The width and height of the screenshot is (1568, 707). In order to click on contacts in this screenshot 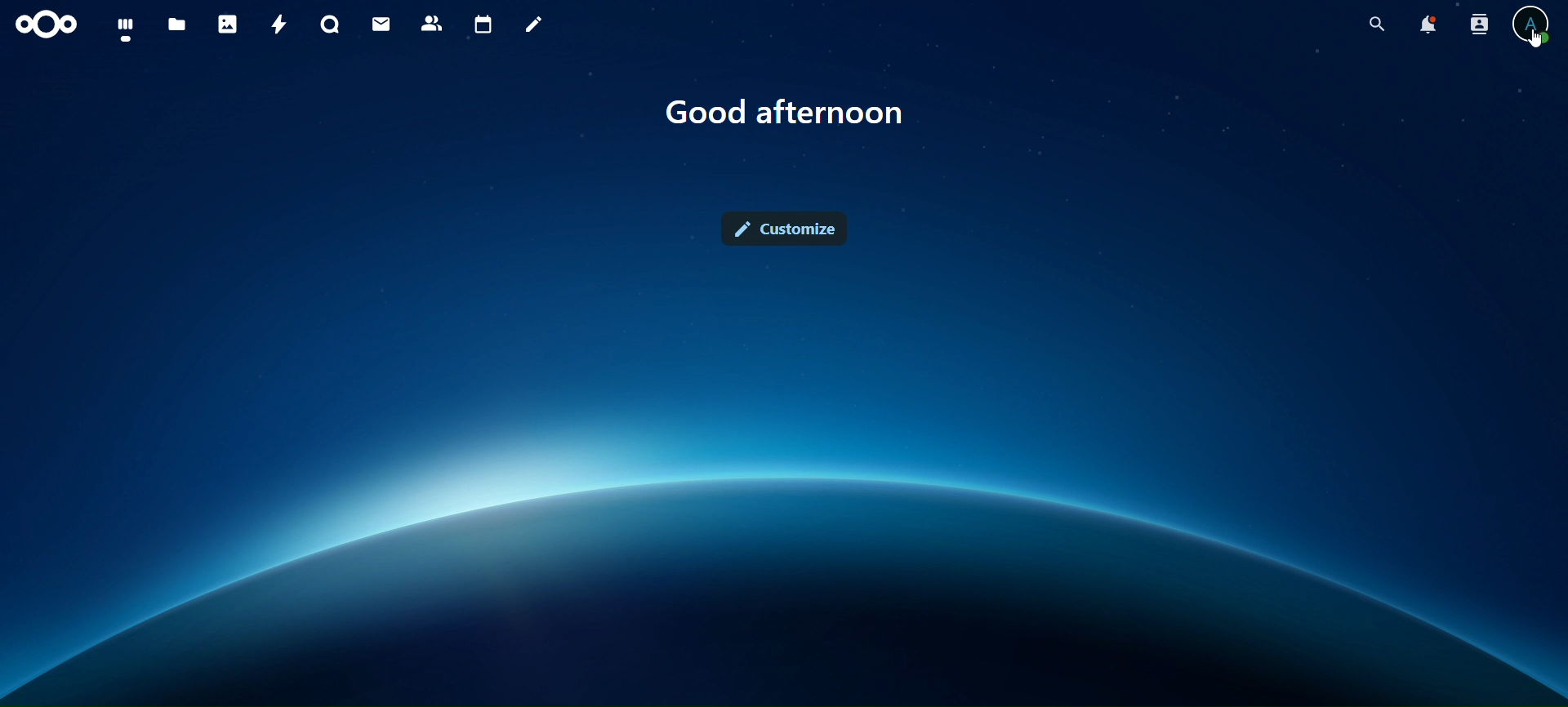, I will do `click(432, 23)`.